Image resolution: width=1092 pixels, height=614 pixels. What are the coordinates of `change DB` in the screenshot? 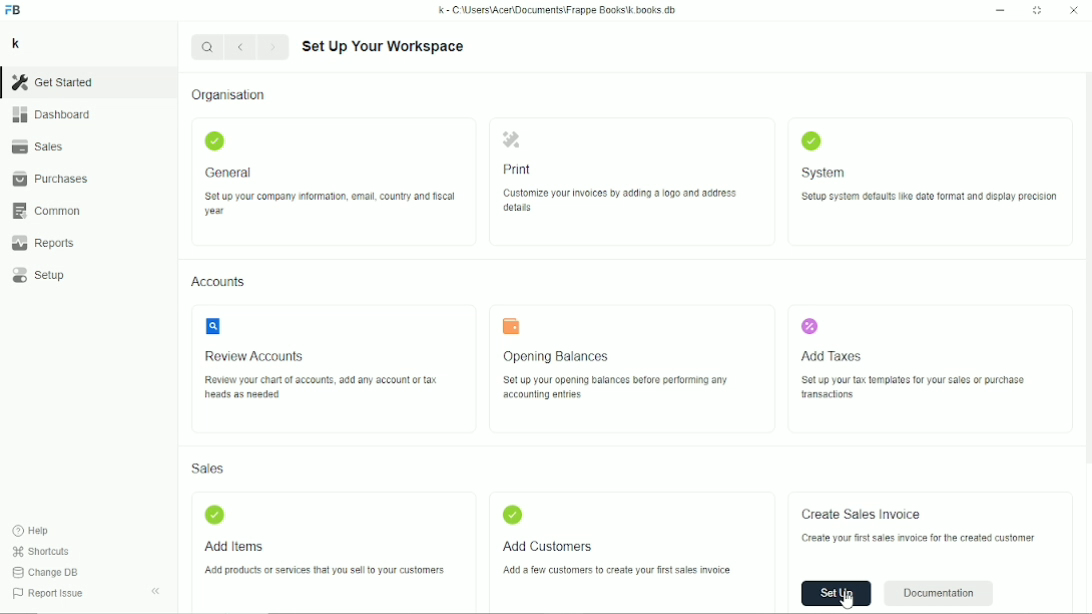 It's located at (48, 572).